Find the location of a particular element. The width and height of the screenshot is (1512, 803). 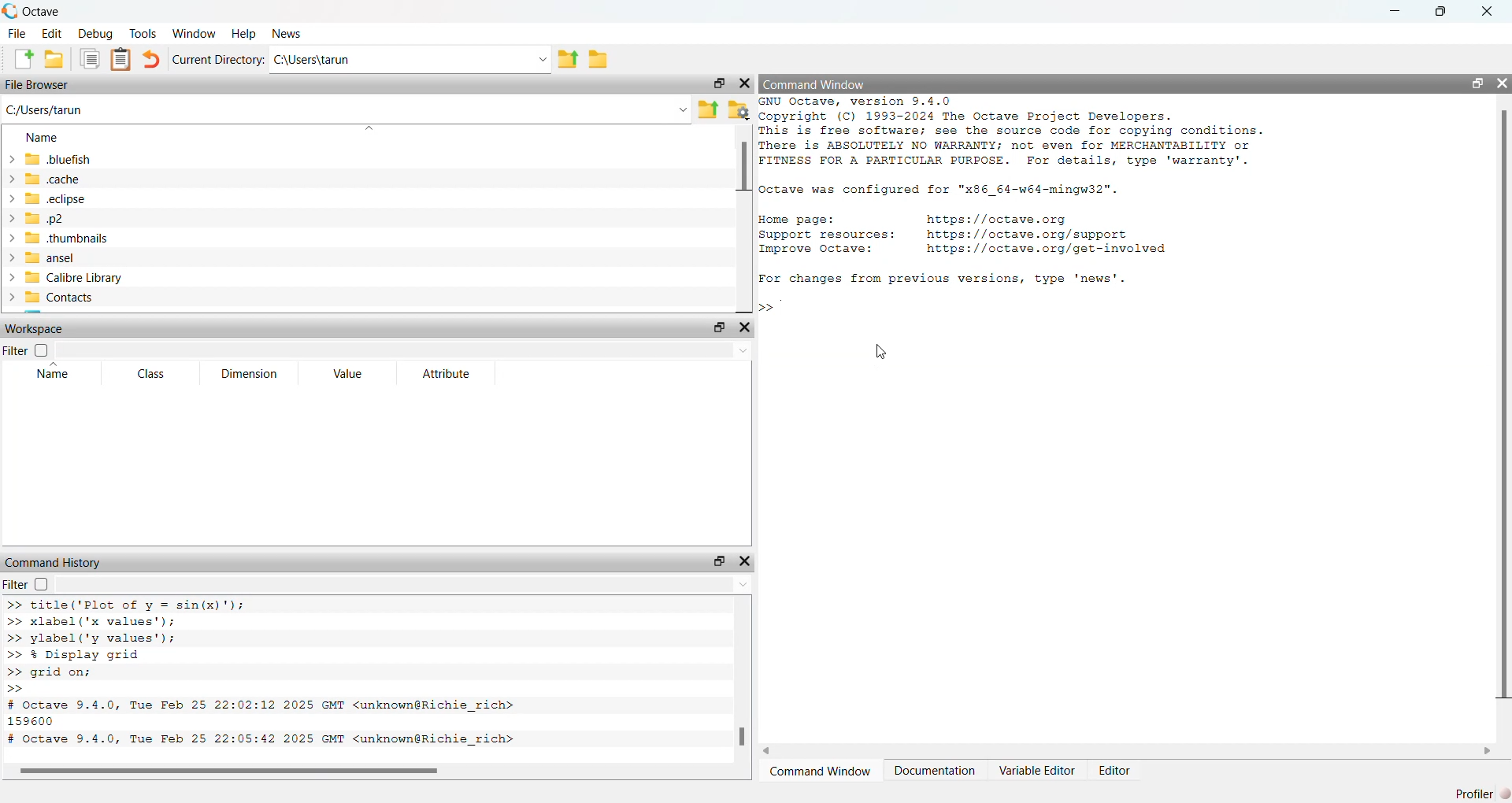

folder is located at coordinates (54, 59).